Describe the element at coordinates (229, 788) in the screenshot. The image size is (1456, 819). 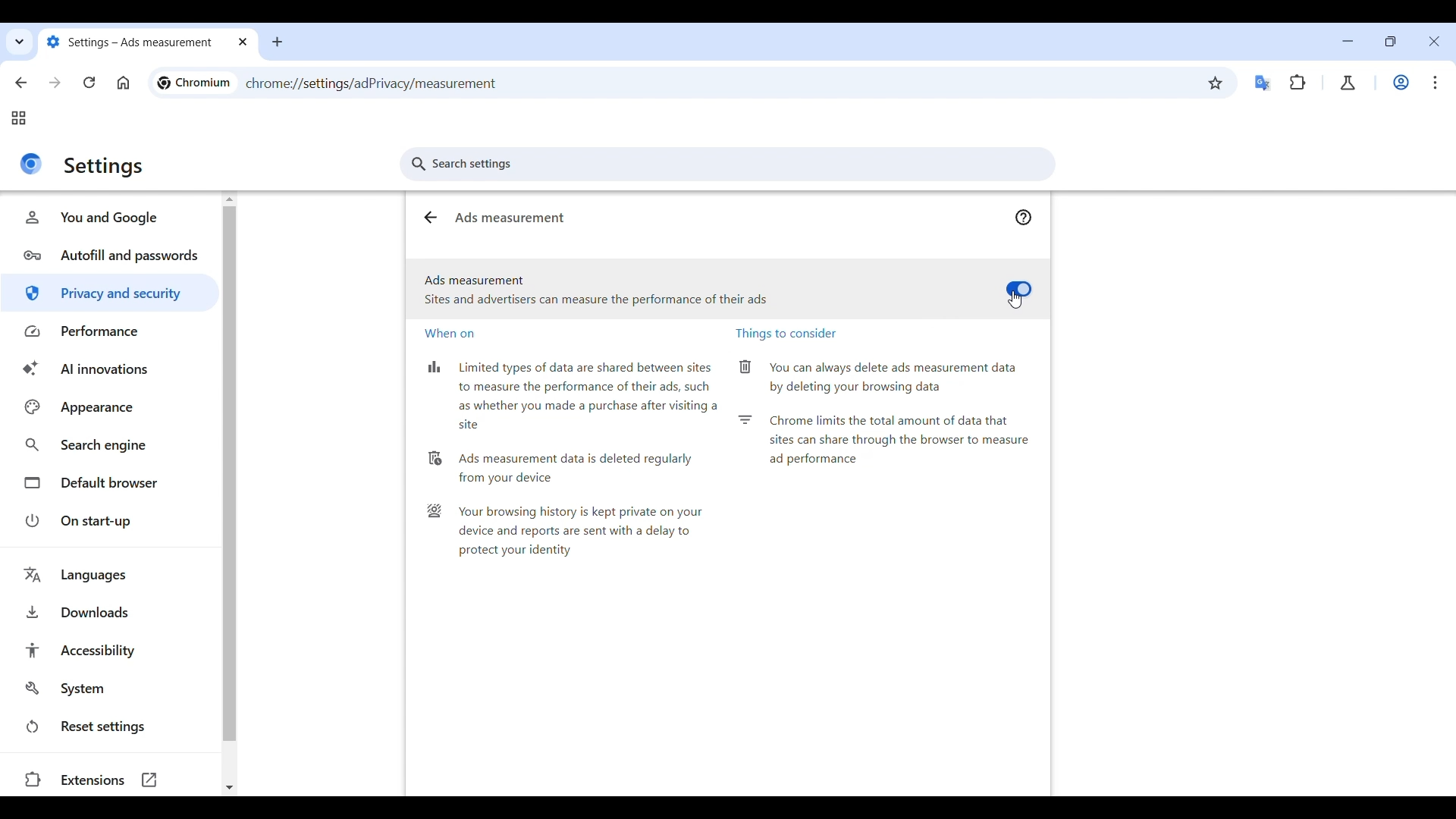
I see `Quick slide to bottom` at that location.